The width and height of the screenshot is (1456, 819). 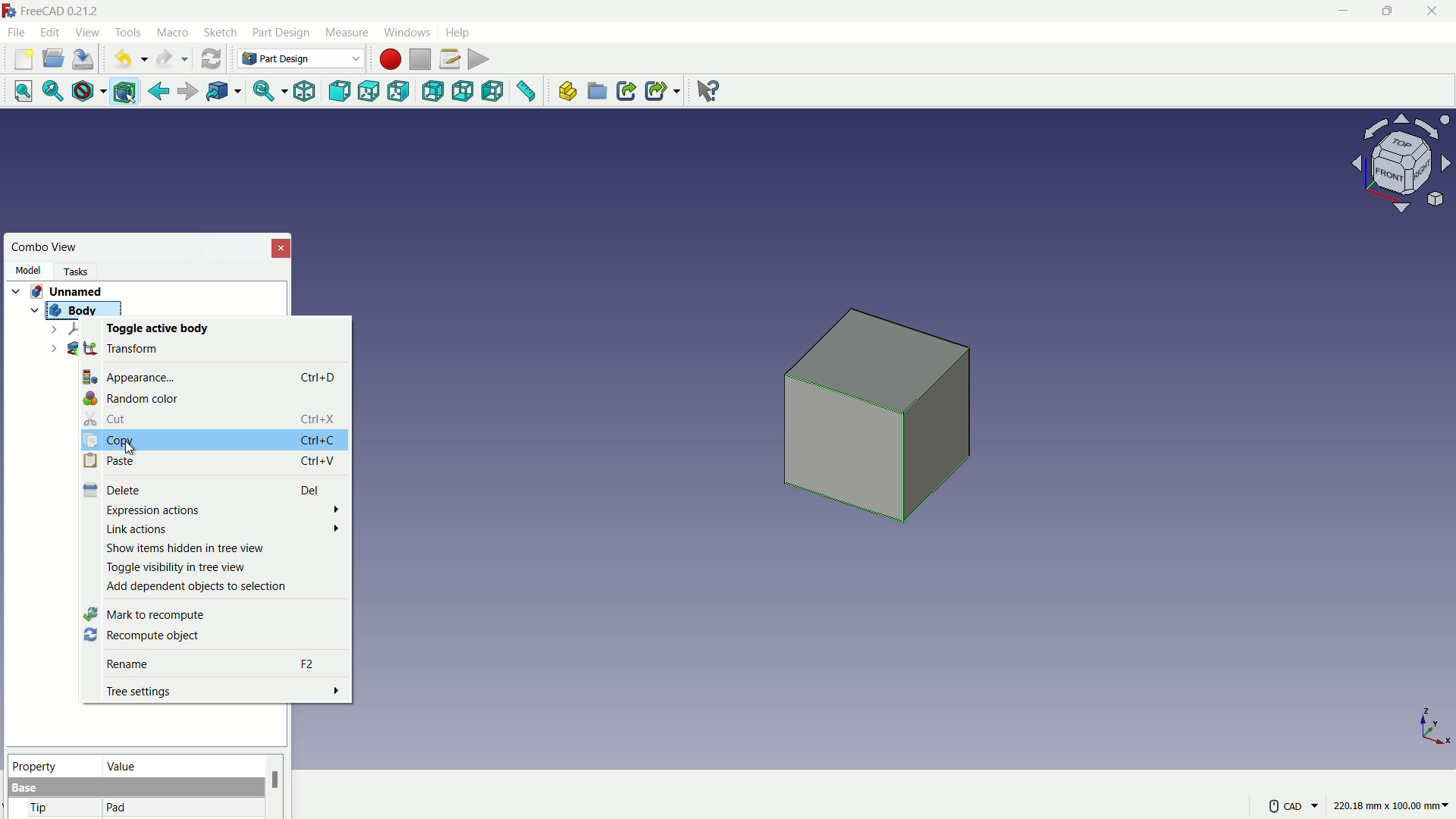 I want to click on bottom view, so click(x=465, y=92).